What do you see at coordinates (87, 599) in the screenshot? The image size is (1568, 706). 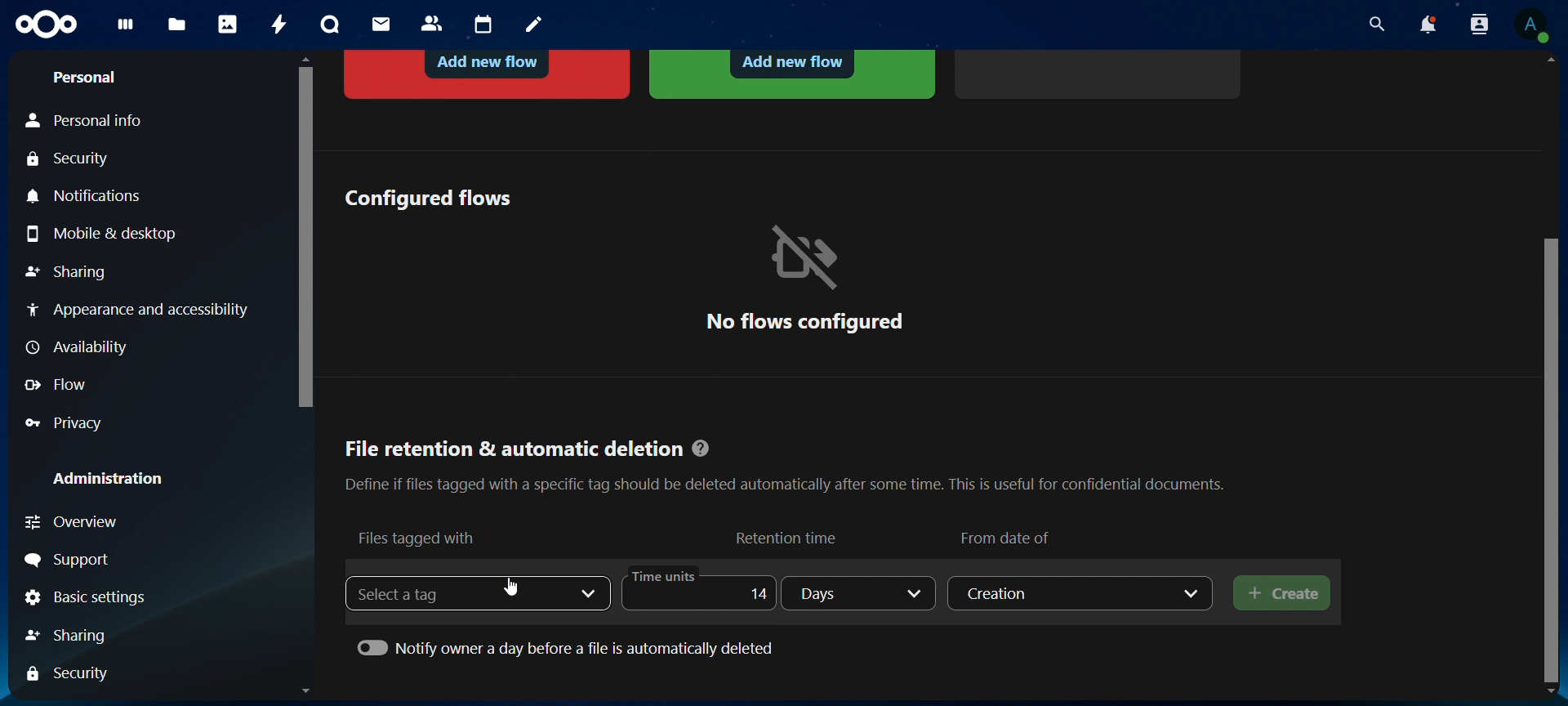 I see `basic settings` at bounding box center [87, 599].